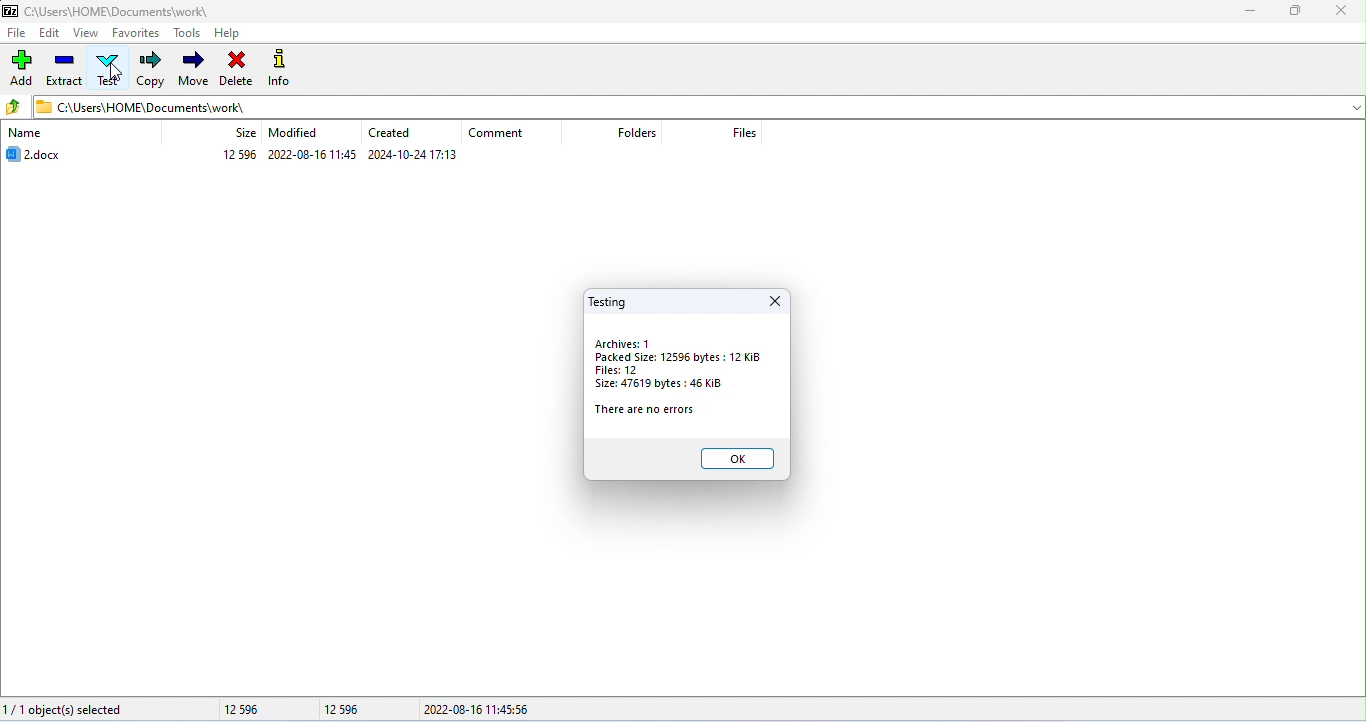 This screenshot has height=722, width=1366. Describe the element at coordinates (622, 344) in the screenshot. I see `archive : 1` at that location.